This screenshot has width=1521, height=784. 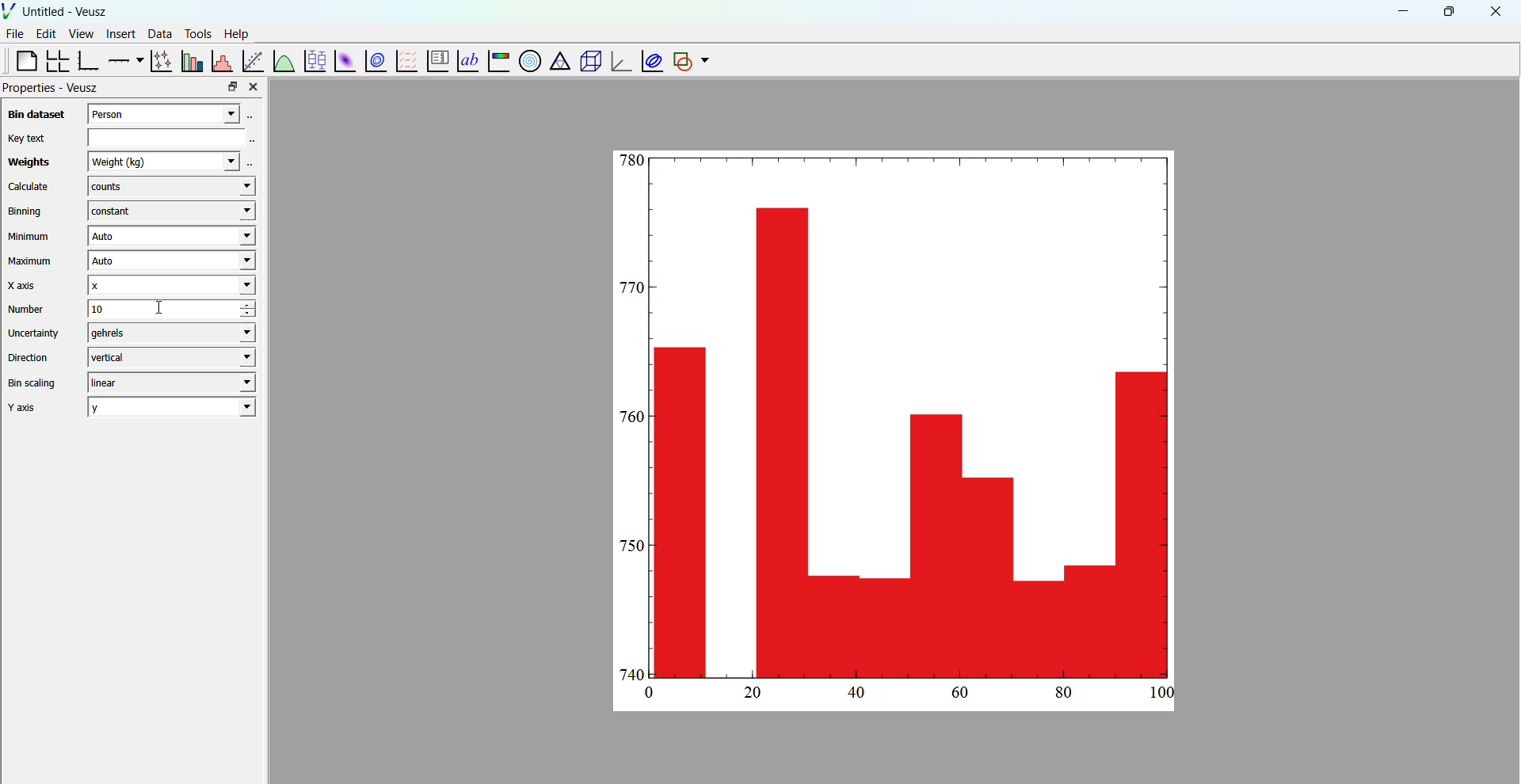 What do you see at coordinates (233, 87) in the screenshot?
I see `maximize property bar` at bounding box center [233, 87].